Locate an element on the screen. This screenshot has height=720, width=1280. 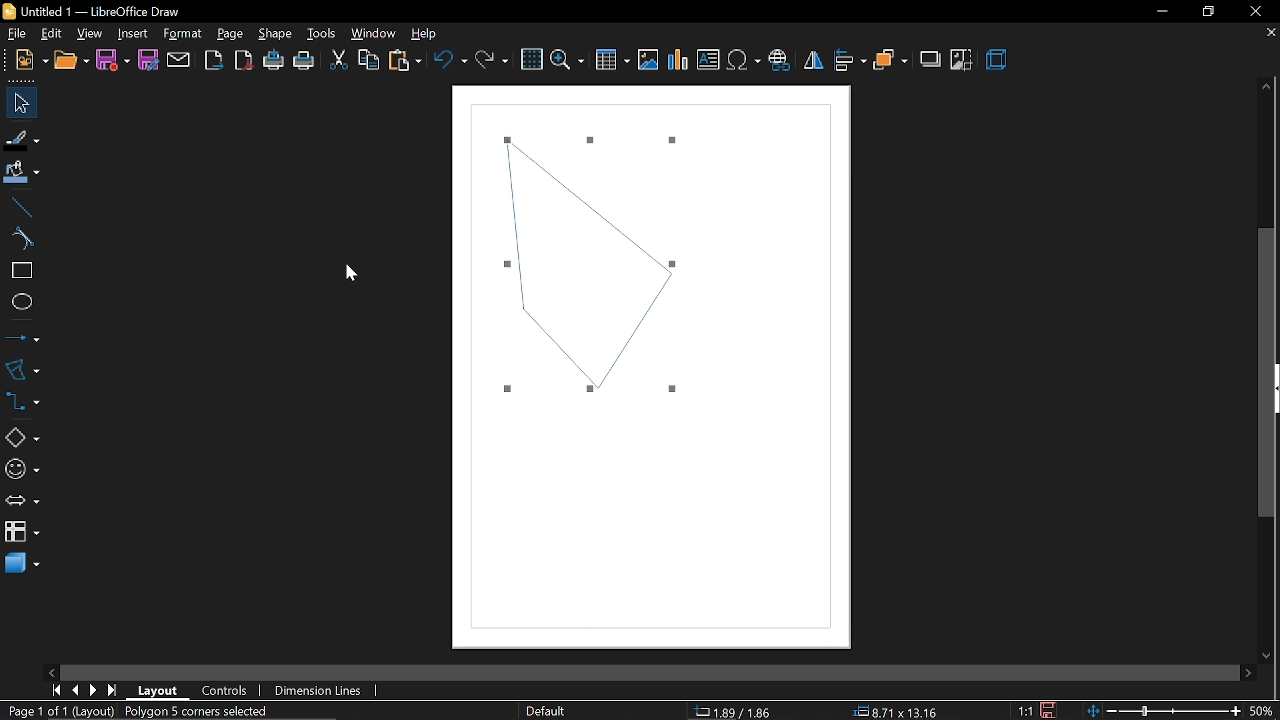
dimension is located at coordinates (318, 689).